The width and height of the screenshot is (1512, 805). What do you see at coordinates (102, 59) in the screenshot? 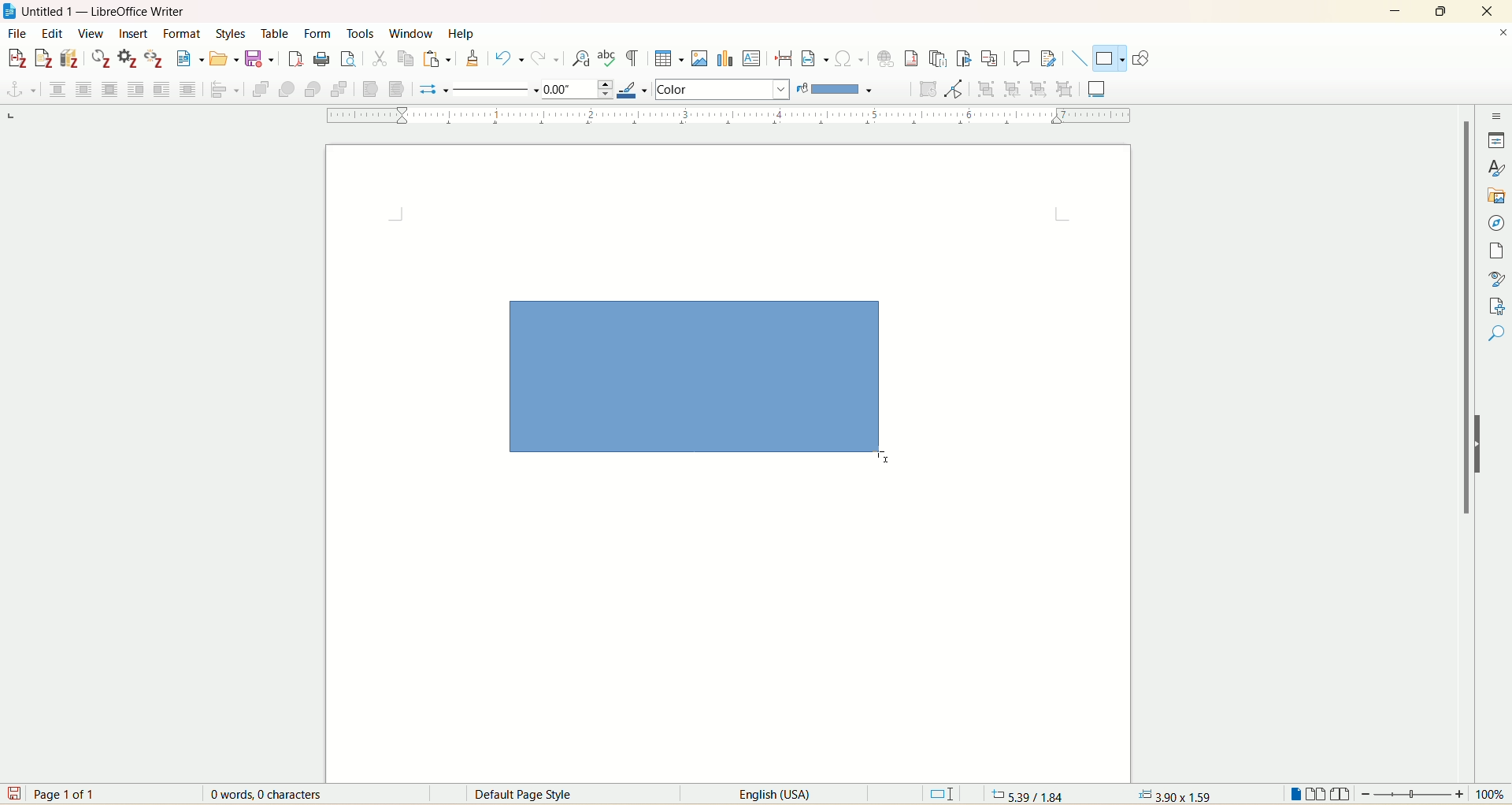
I see `refresh` at bounding box center [102, 59].